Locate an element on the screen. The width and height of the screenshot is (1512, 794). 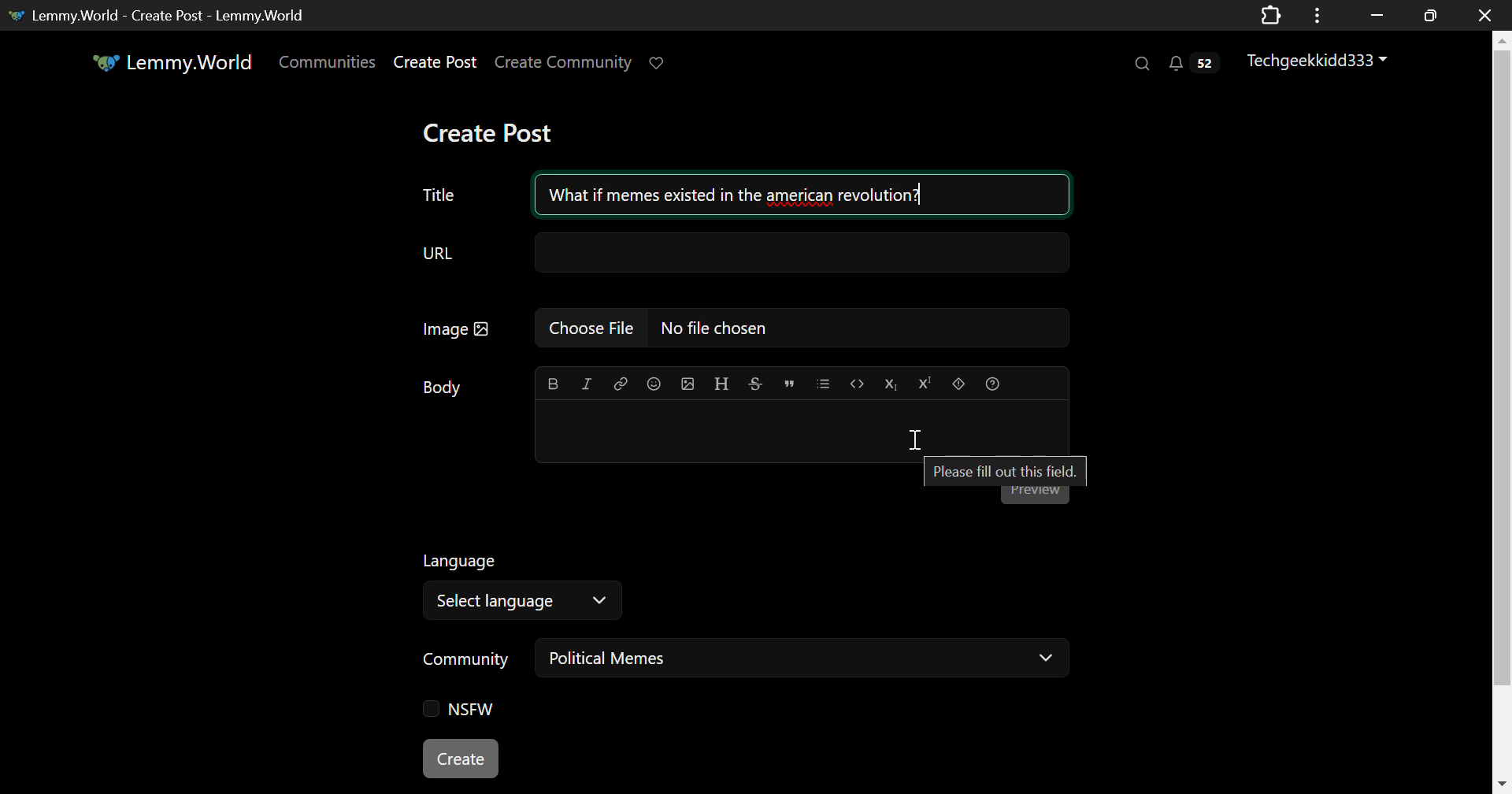
Italic is located at coordinates (586, 382).